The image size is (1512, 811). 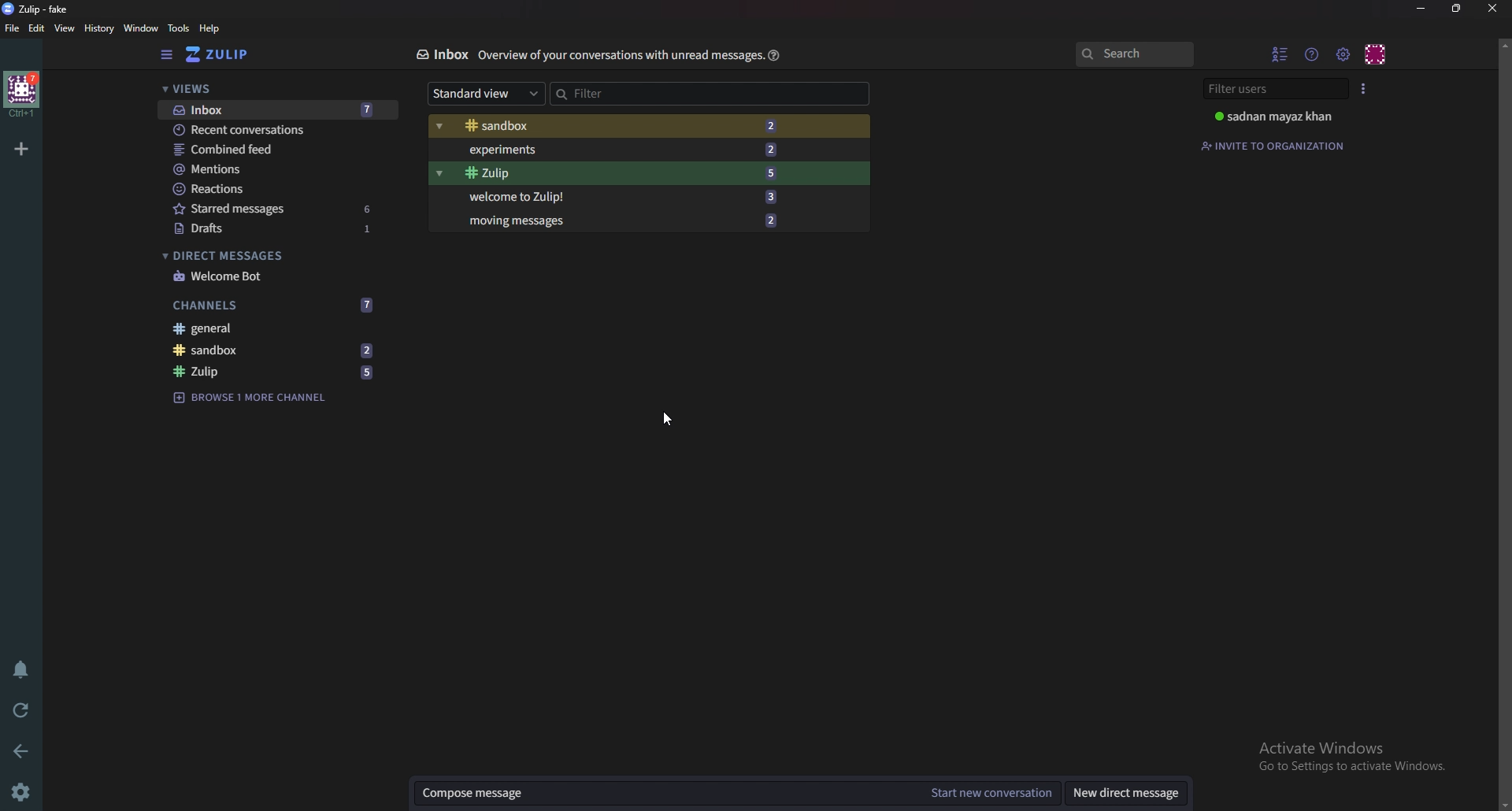 What do you see at coordinates (13, 28) in the screenshot?
I see `File` at bounding box center [13, 28].